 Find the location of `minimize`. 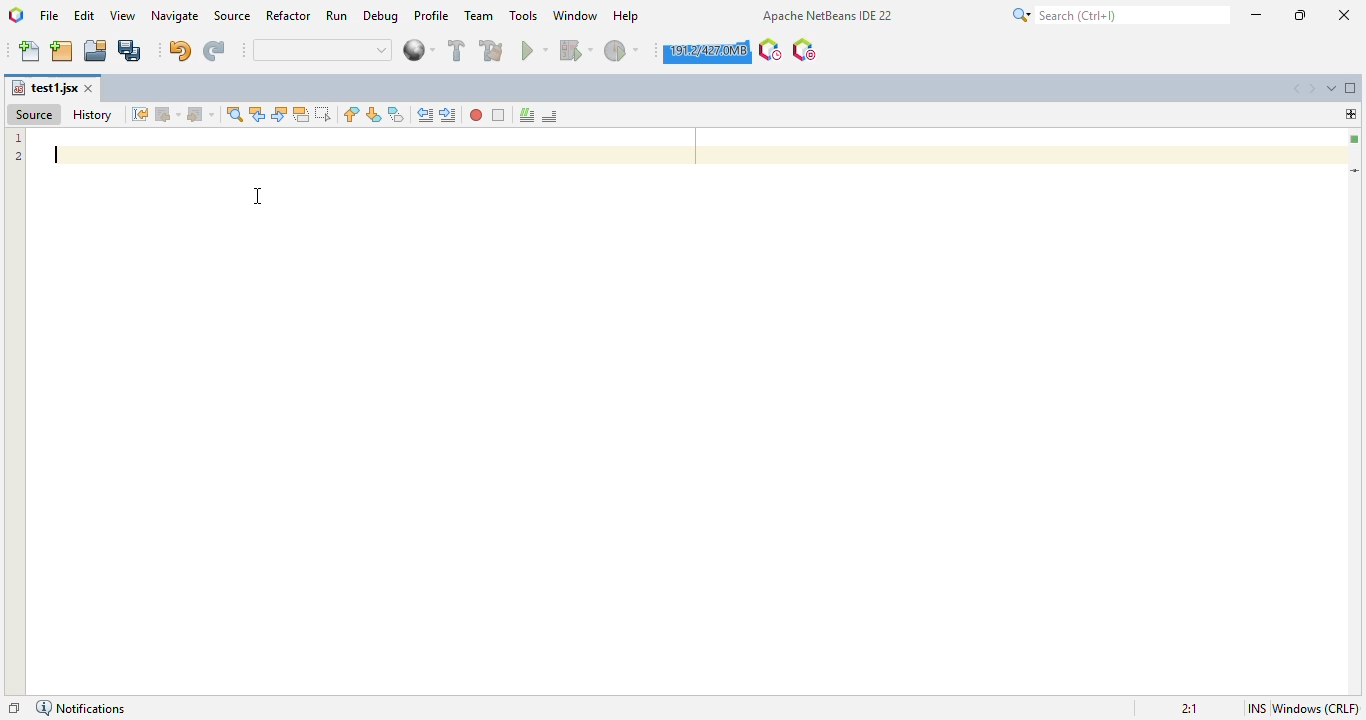

minimize is located at coordinates (1257, 15).